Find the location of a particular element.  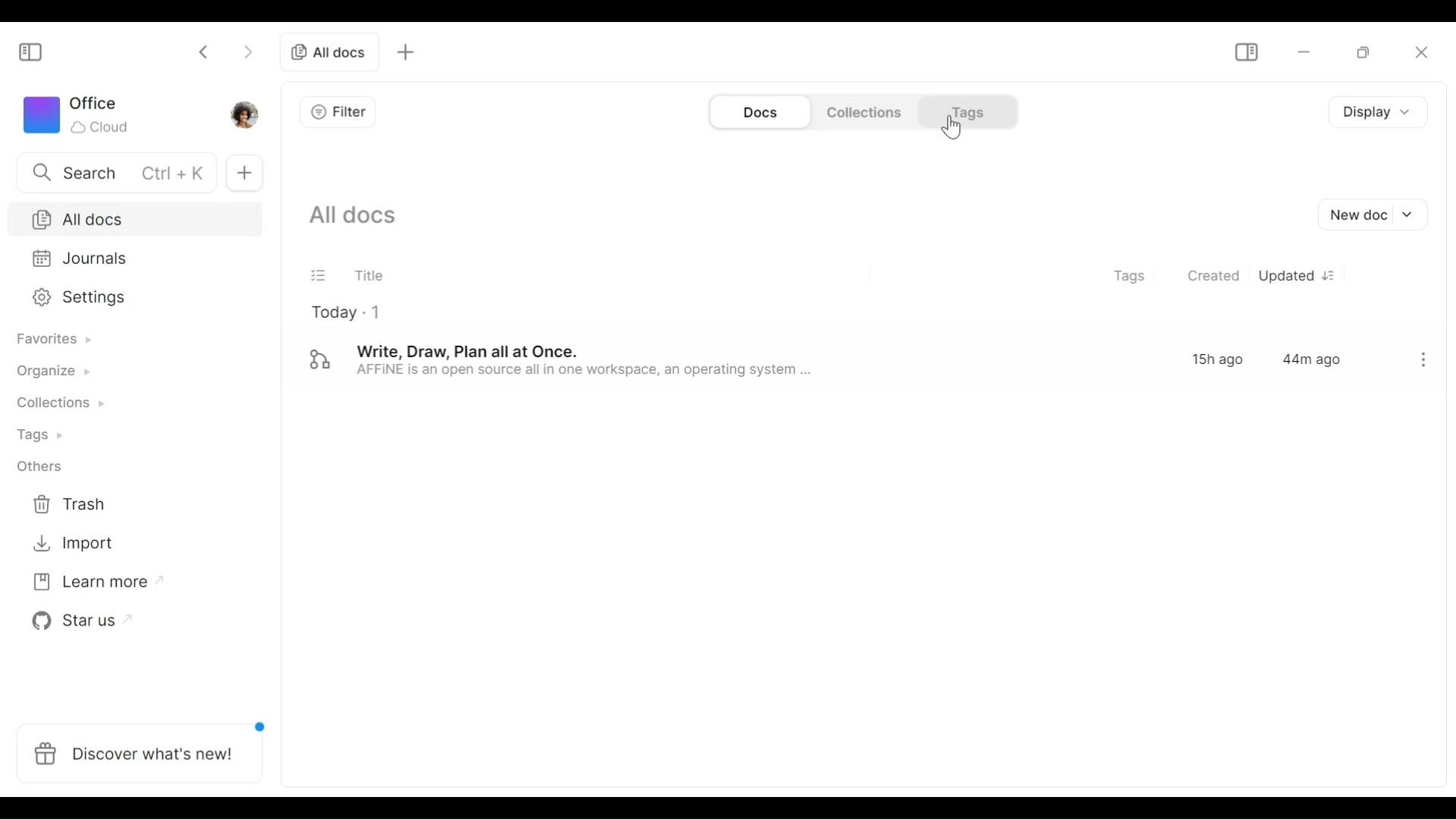

Tags is located at coordinates (1132, 278).